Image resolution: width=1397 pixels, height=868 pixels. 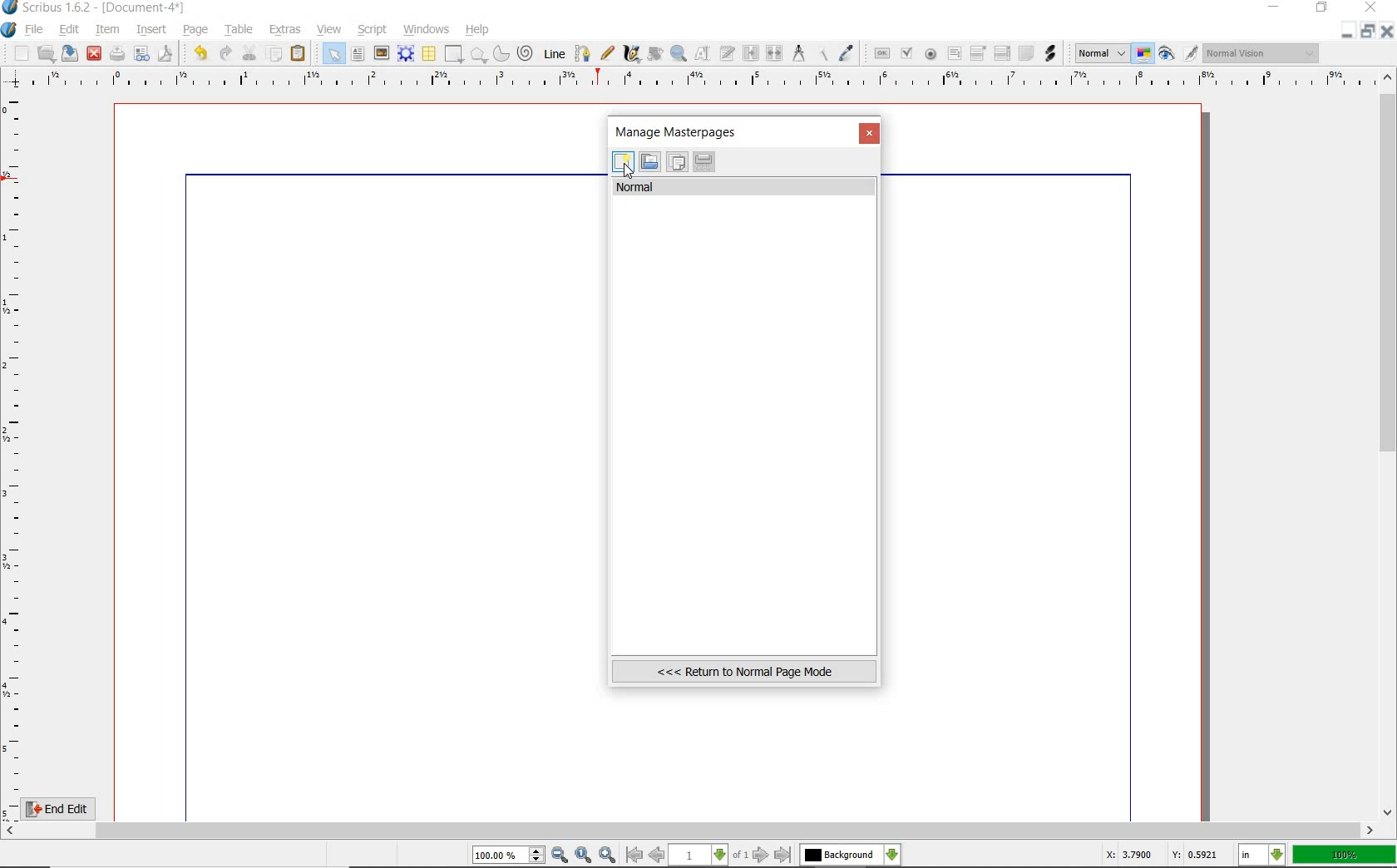 I want to click on minimize, so click(x=1349, y=31).